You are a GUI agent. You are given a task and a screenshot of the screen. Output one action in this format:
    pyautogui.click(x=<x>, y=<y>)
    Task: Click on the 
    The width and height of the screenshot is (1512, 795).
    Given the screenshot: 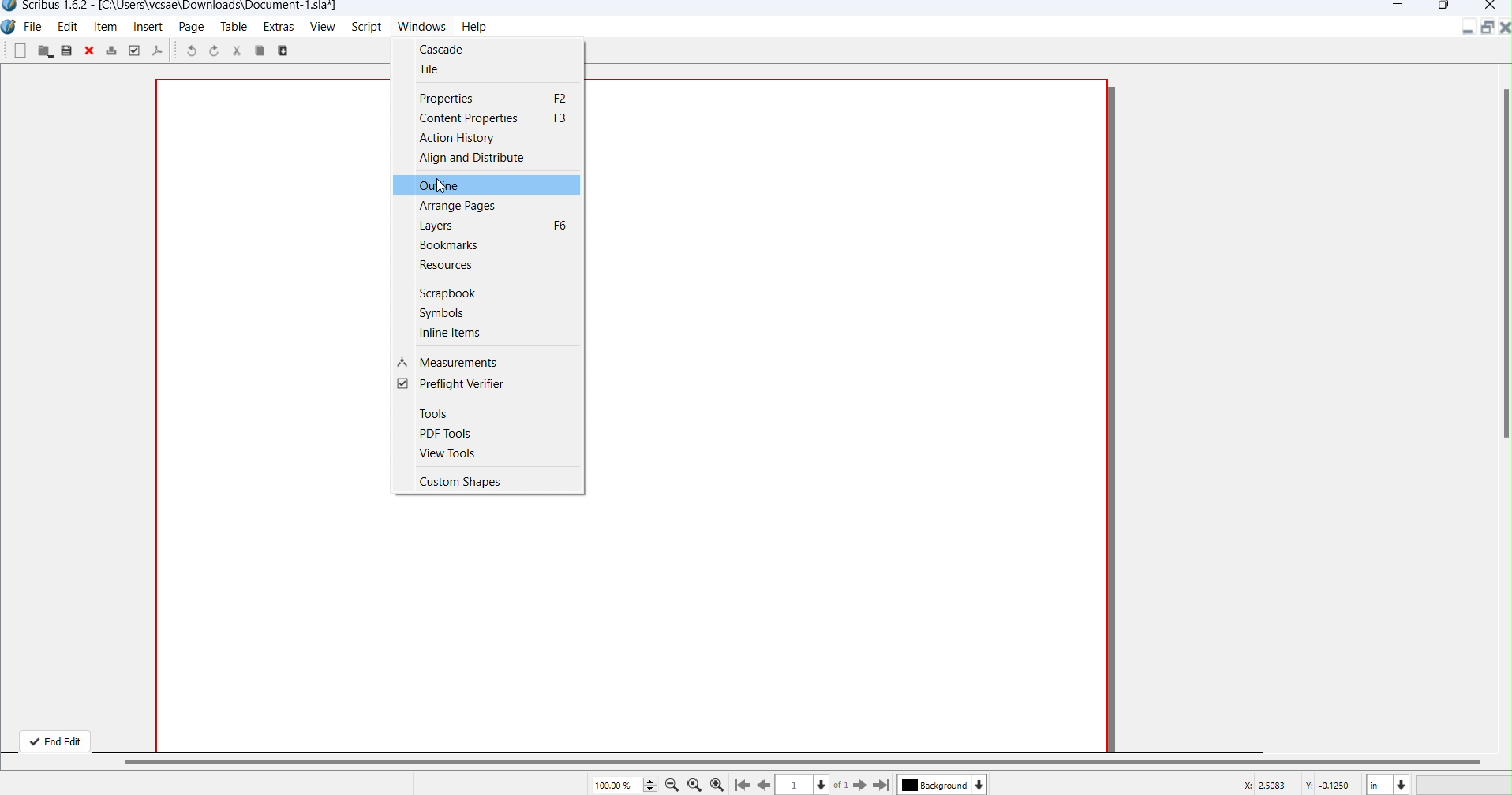 What is the action you would take?
    pyautogui.click(x=233, y=28)
    